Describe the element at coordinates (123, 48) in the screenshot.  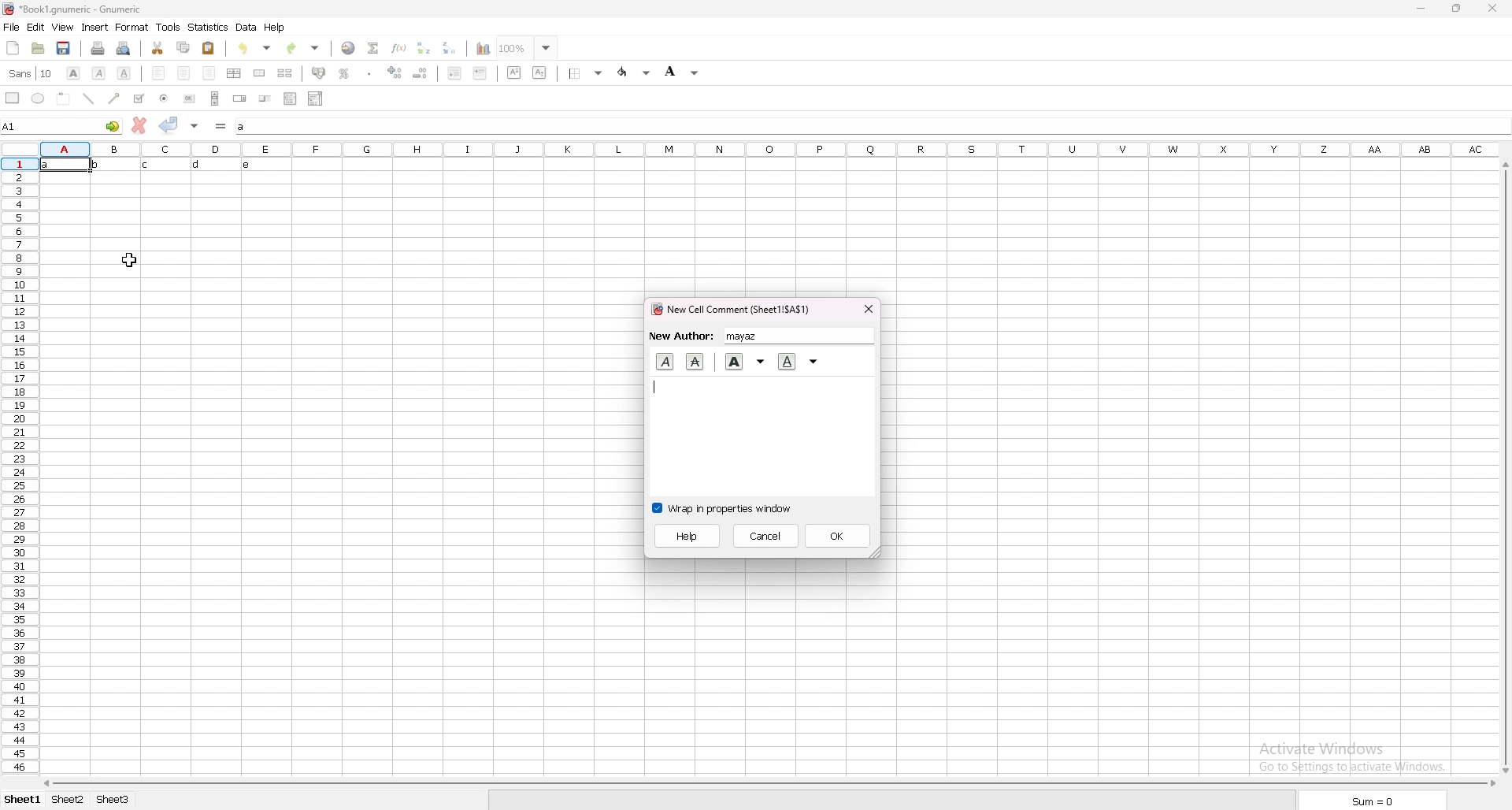
I see `print preview` at that location.